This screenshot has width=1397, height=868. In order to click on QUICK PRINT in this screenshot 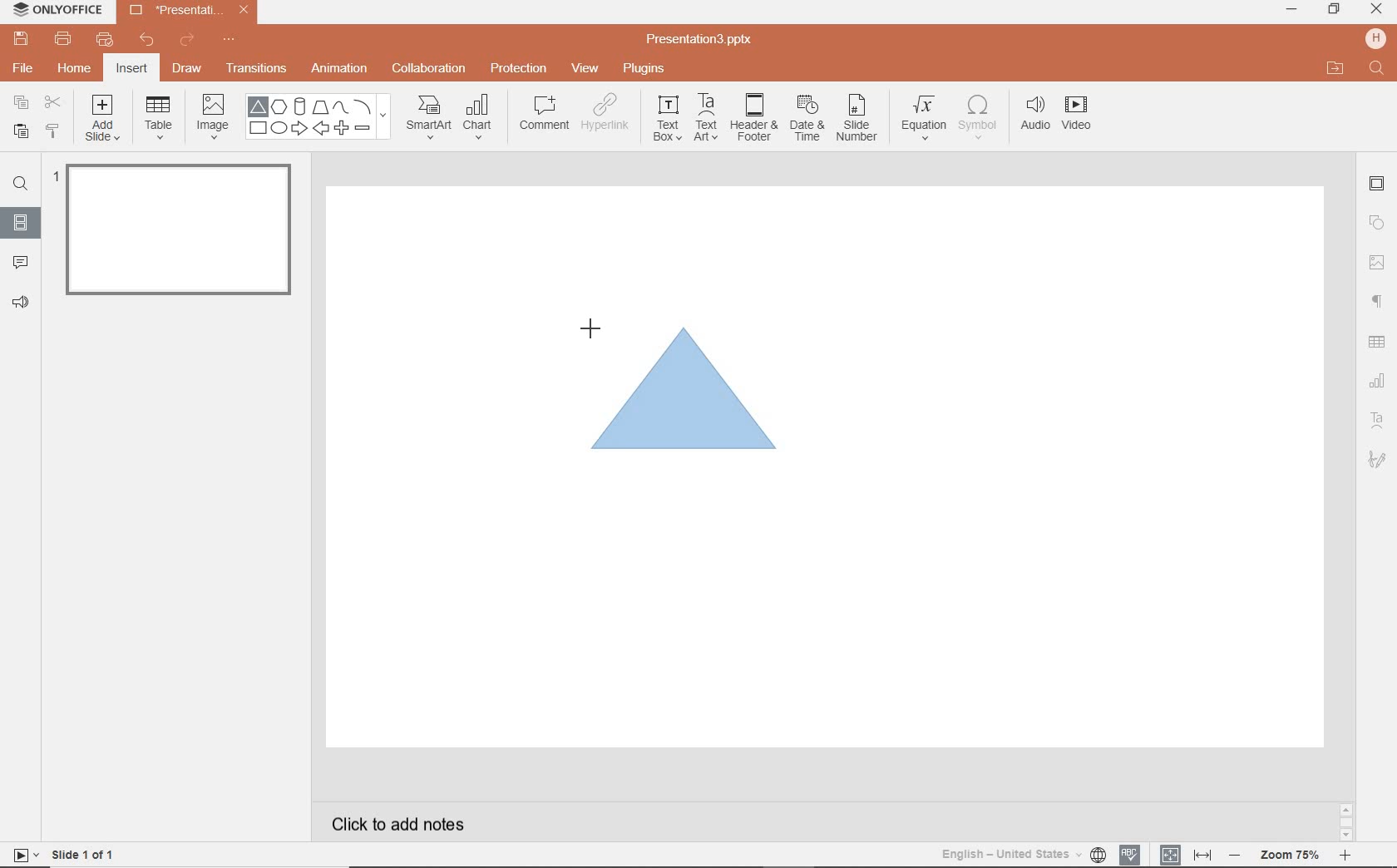, I will do `click(104, 41)`.